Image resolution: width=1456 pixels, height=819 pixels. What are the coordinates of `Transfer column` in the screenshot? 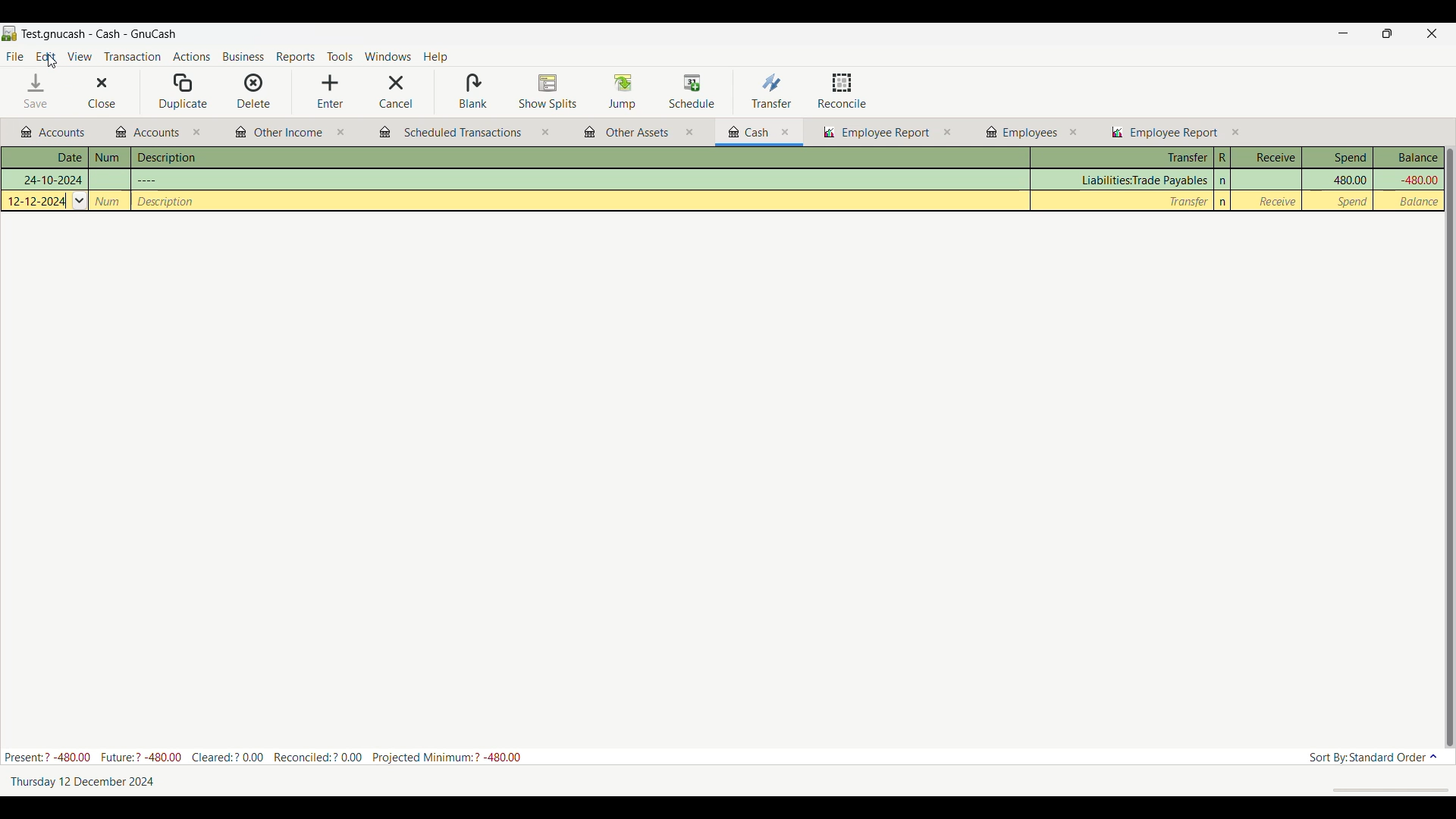 It's located at (1189, 201).